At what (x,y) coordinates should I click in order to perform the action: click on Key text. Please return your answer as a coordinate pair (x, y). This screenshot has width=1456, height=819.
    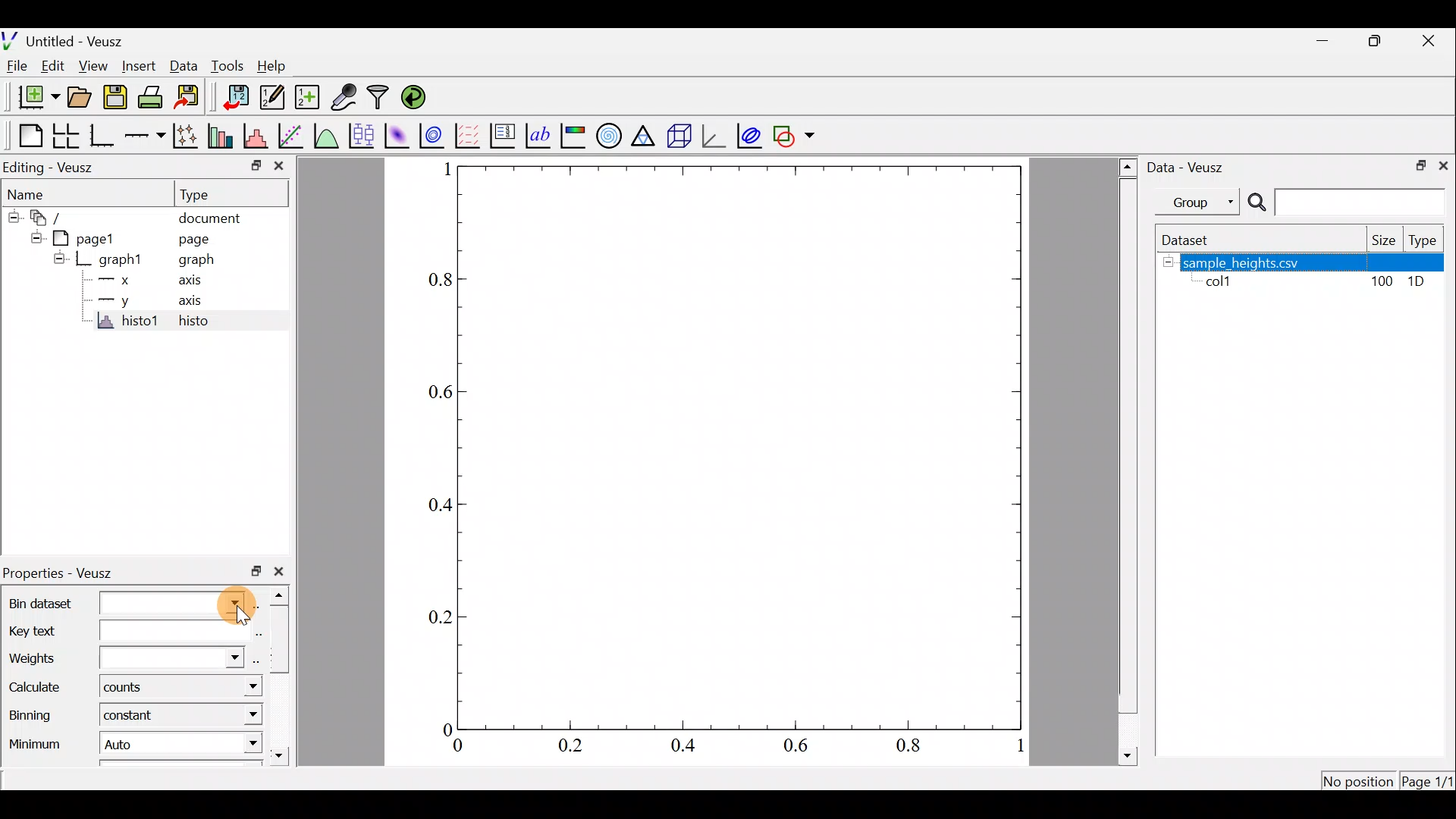
    Looking at the image, I should click on (115, 629).